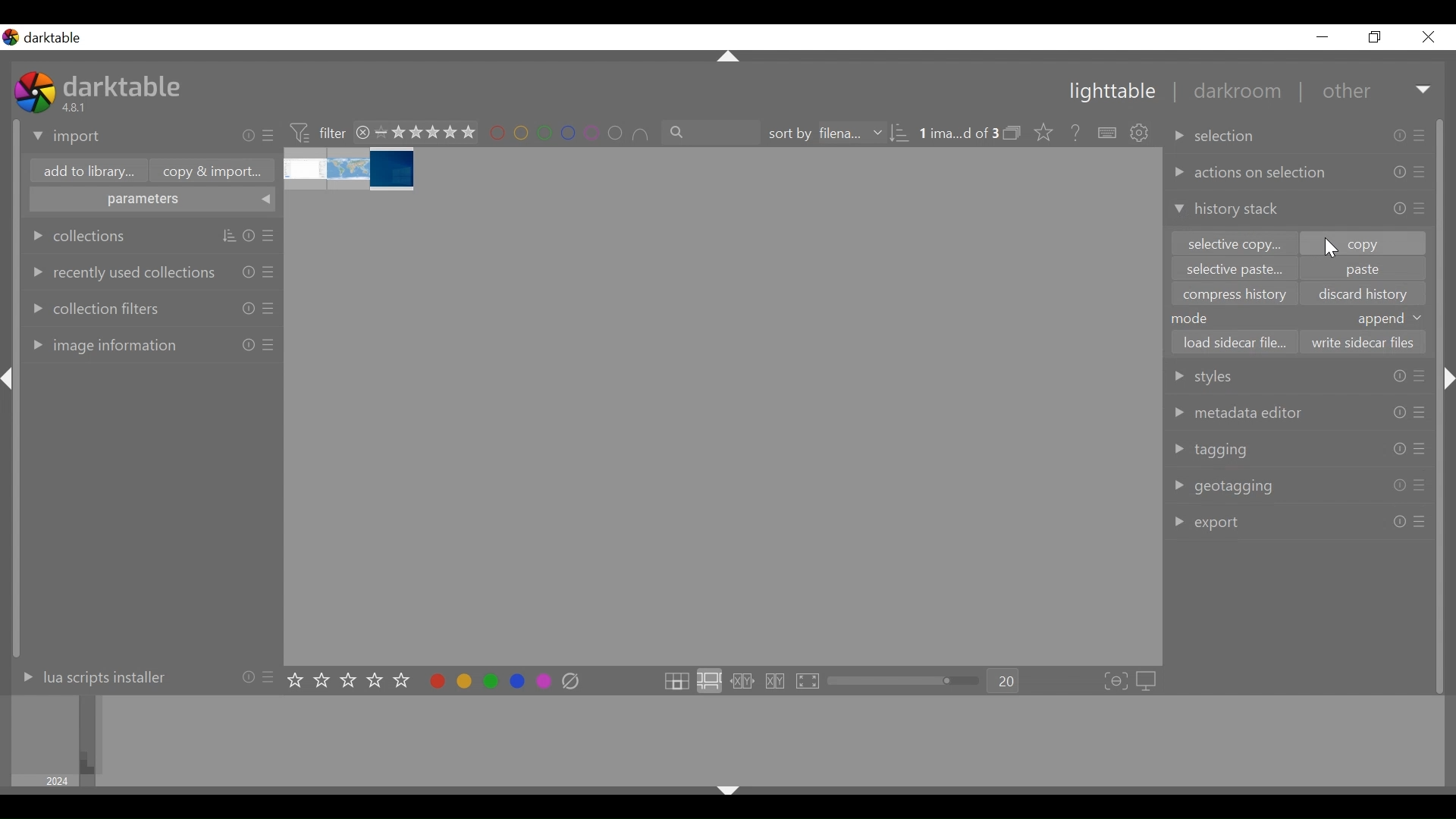 Image resolution: width=1456 pixels, height=819 pixels. I want to click on other, so click(1345, 92).